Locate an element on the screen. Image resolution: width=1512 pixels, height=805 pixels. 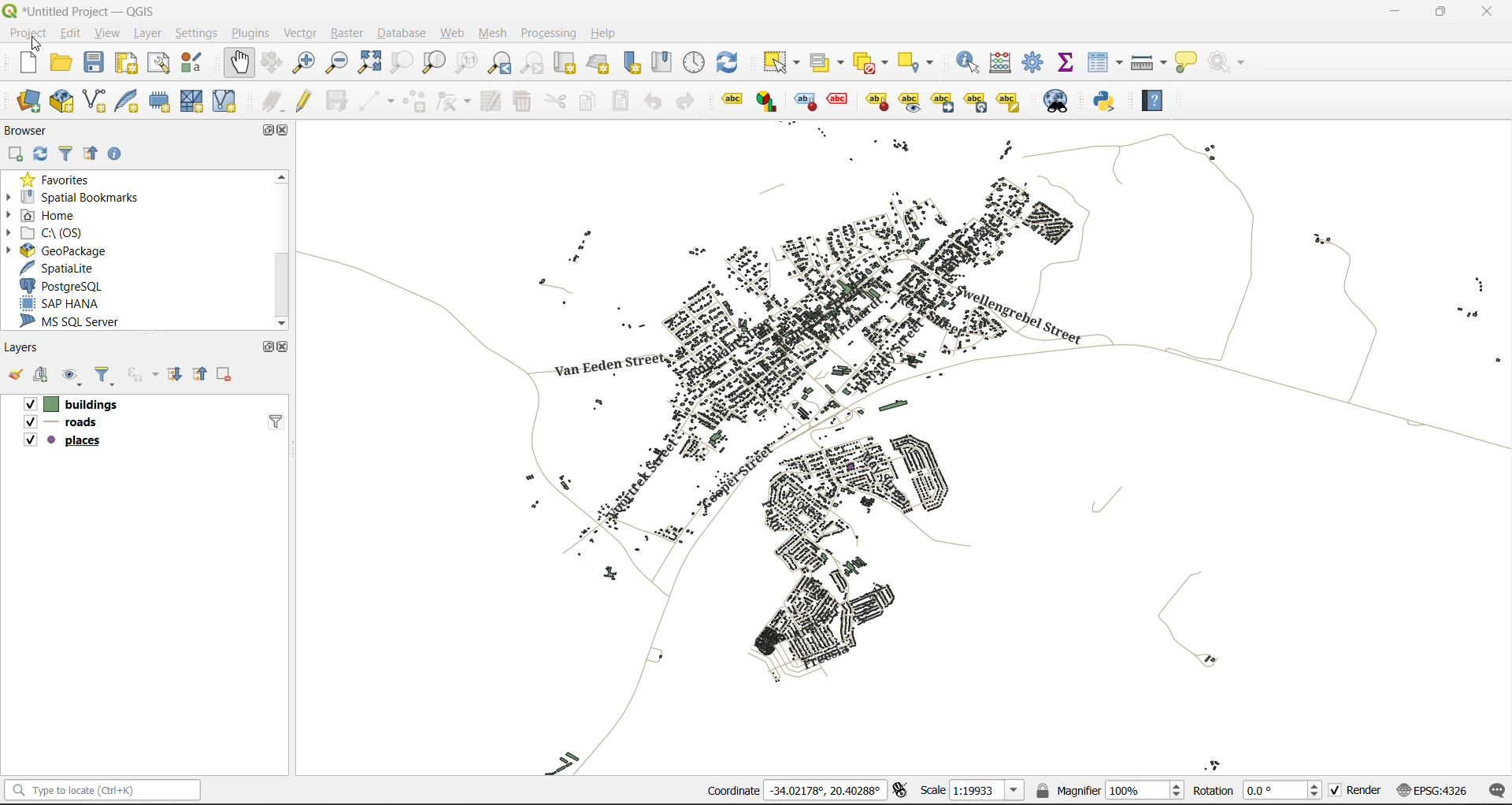
no action is located at coordinates (1230, 62).